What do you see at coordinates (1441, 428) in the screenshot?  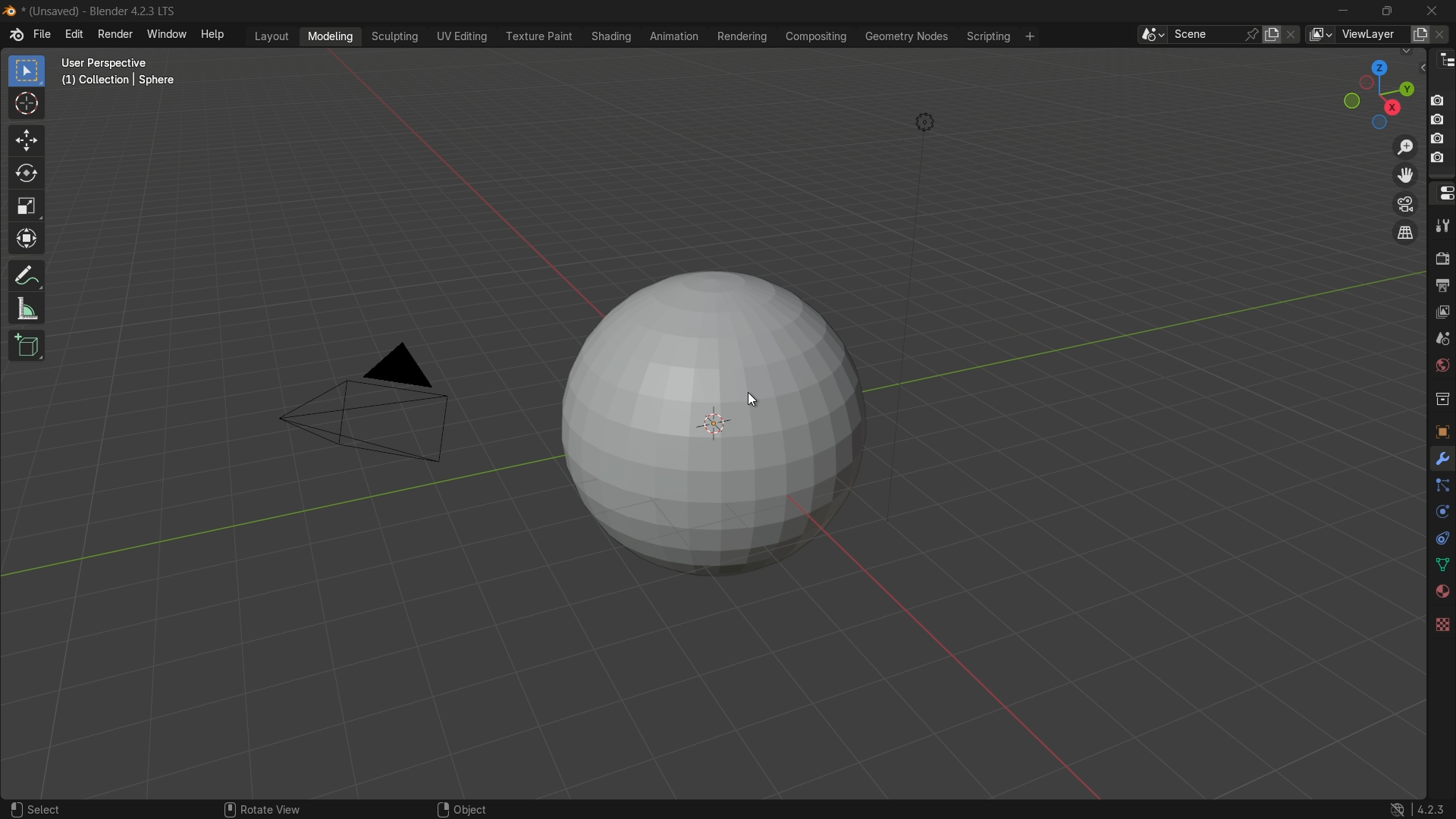 I see `object` at bounding box center [1441, 428].